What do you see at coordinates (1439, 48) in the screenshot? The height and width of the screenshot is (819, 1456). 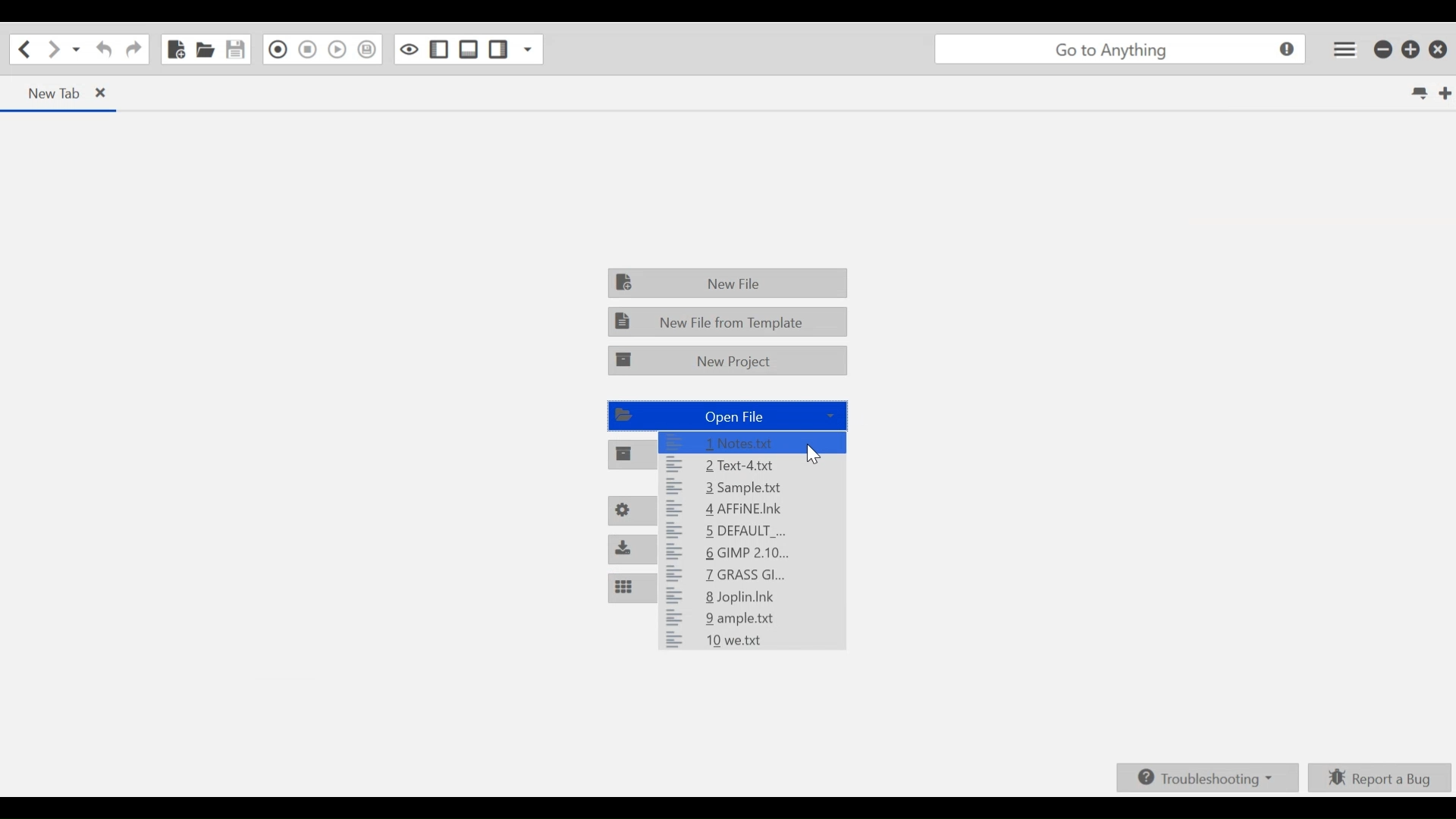 I see `close` at bounding box center [1439, 48].